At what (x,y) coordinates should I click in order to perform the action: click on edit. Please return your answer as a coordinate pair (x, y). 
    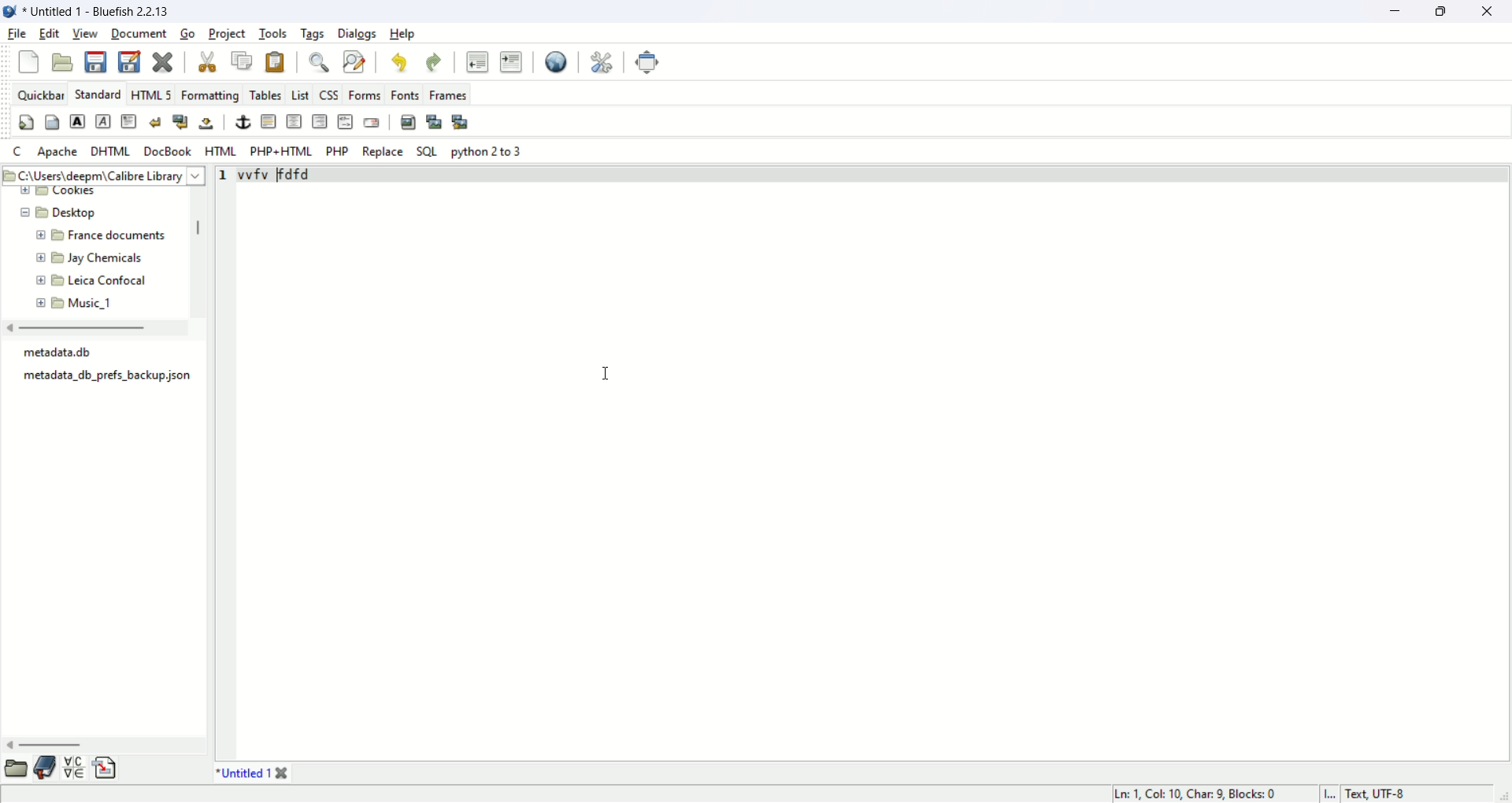
    Looking at the image, I should click on (52, 34).